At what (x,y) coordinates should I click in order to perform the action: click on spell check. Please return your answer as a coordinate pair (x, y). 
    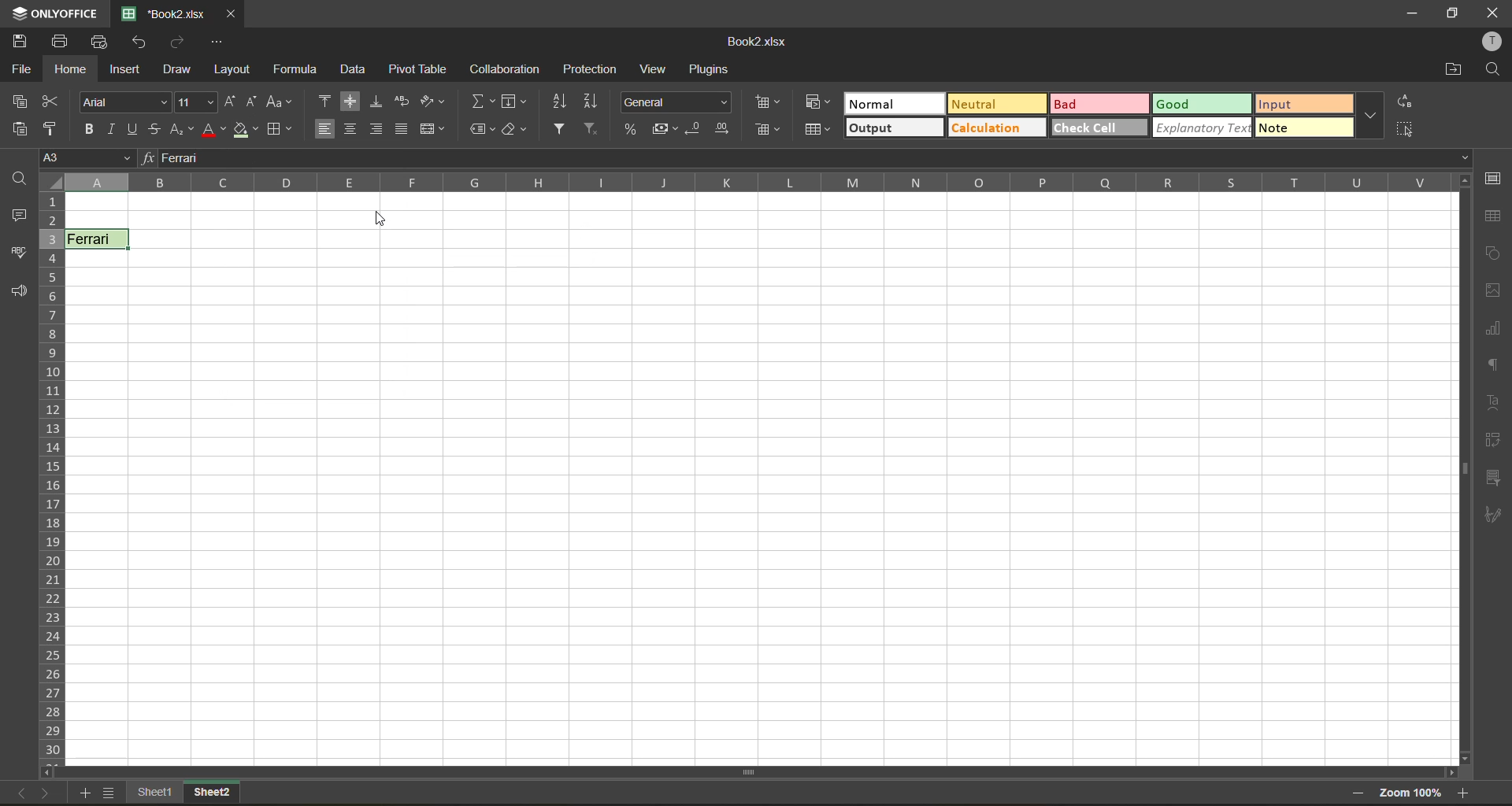
    Looking at the image, I should click on (18, 255).